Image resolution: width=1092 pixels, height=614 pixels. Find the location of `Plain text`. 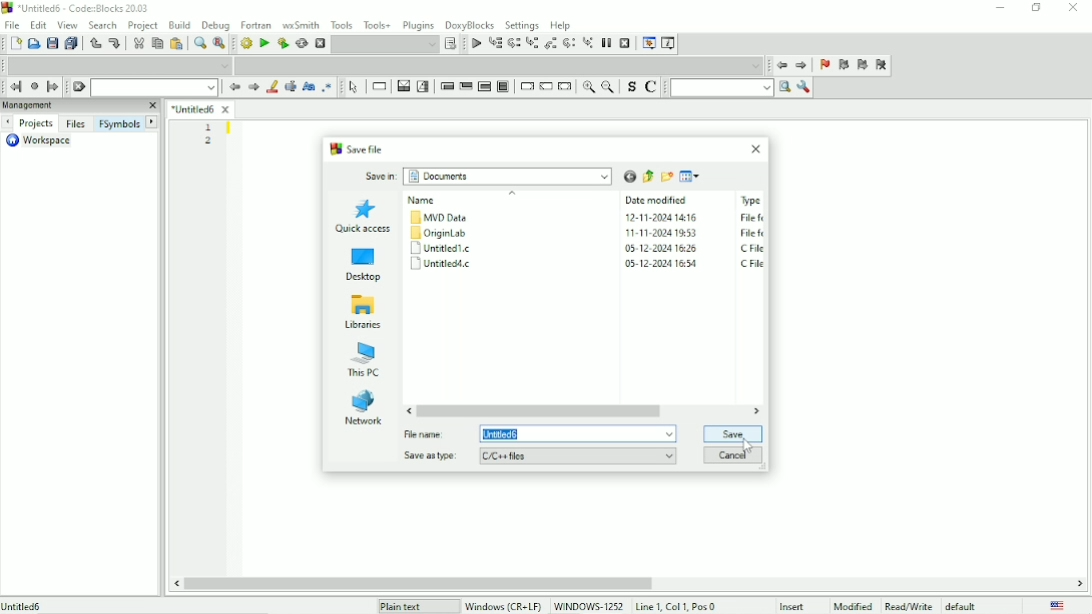

Plain text is located at coordinates (403, 606).